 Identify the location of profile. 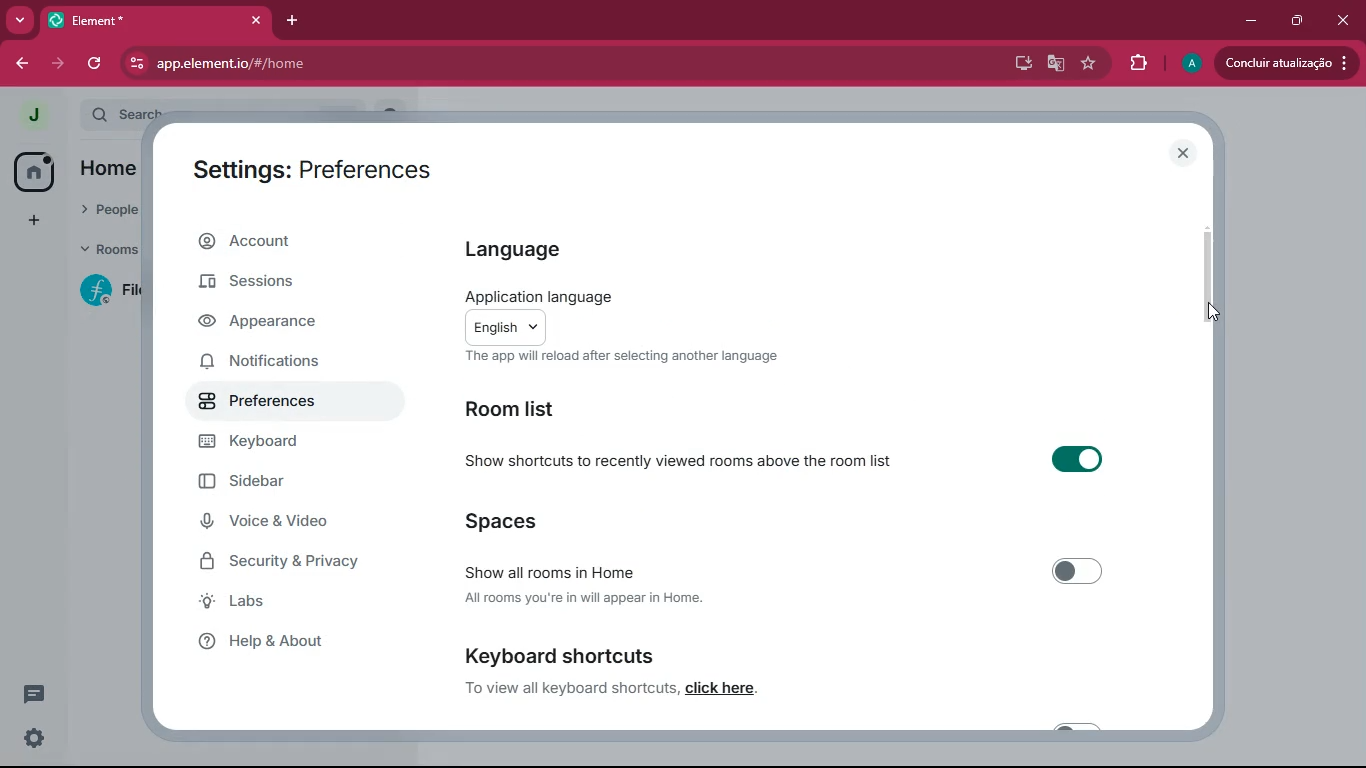
(1190, 63).